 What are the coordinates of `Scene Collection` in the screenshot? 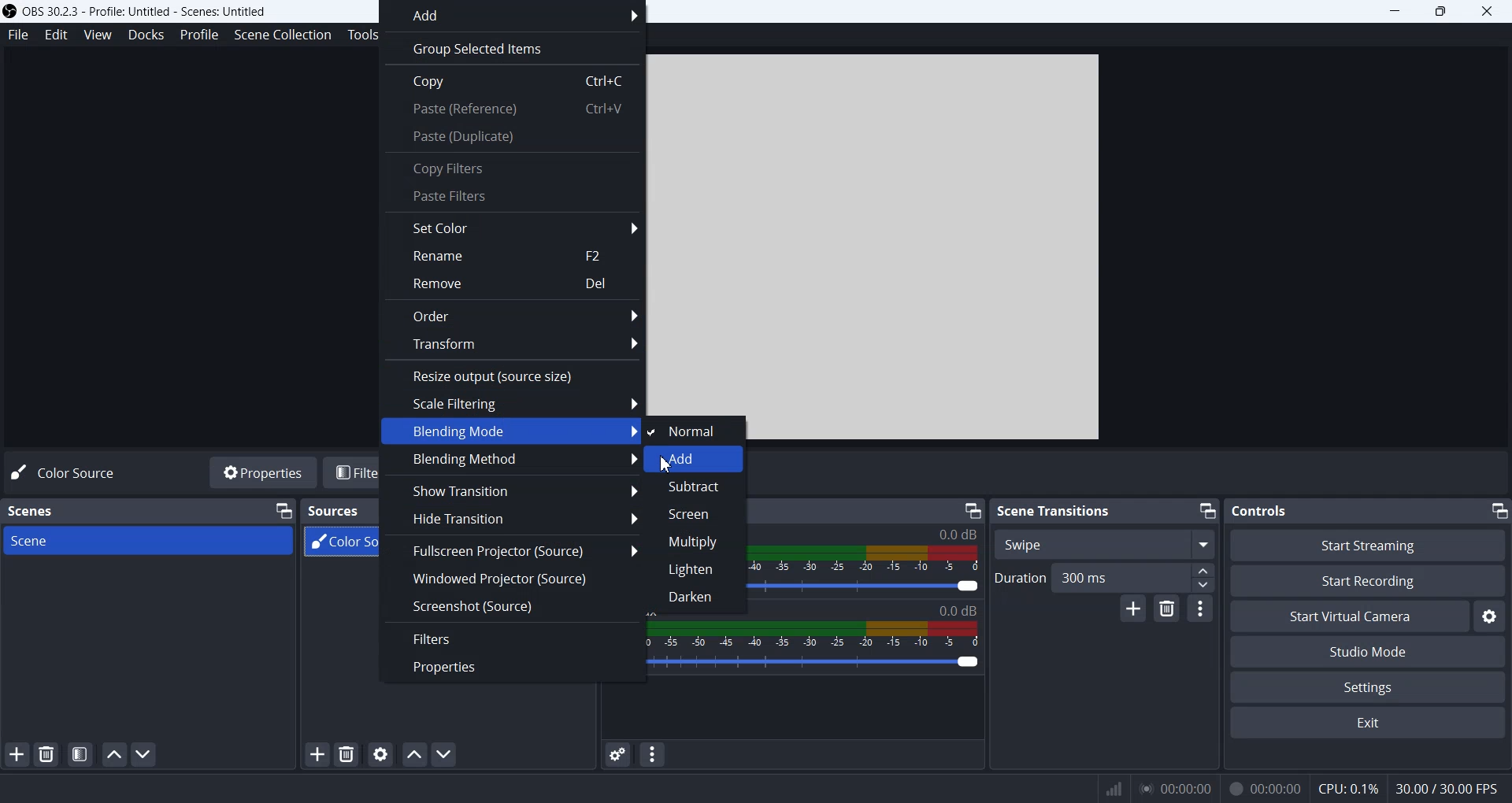 It's located at (283, 35).